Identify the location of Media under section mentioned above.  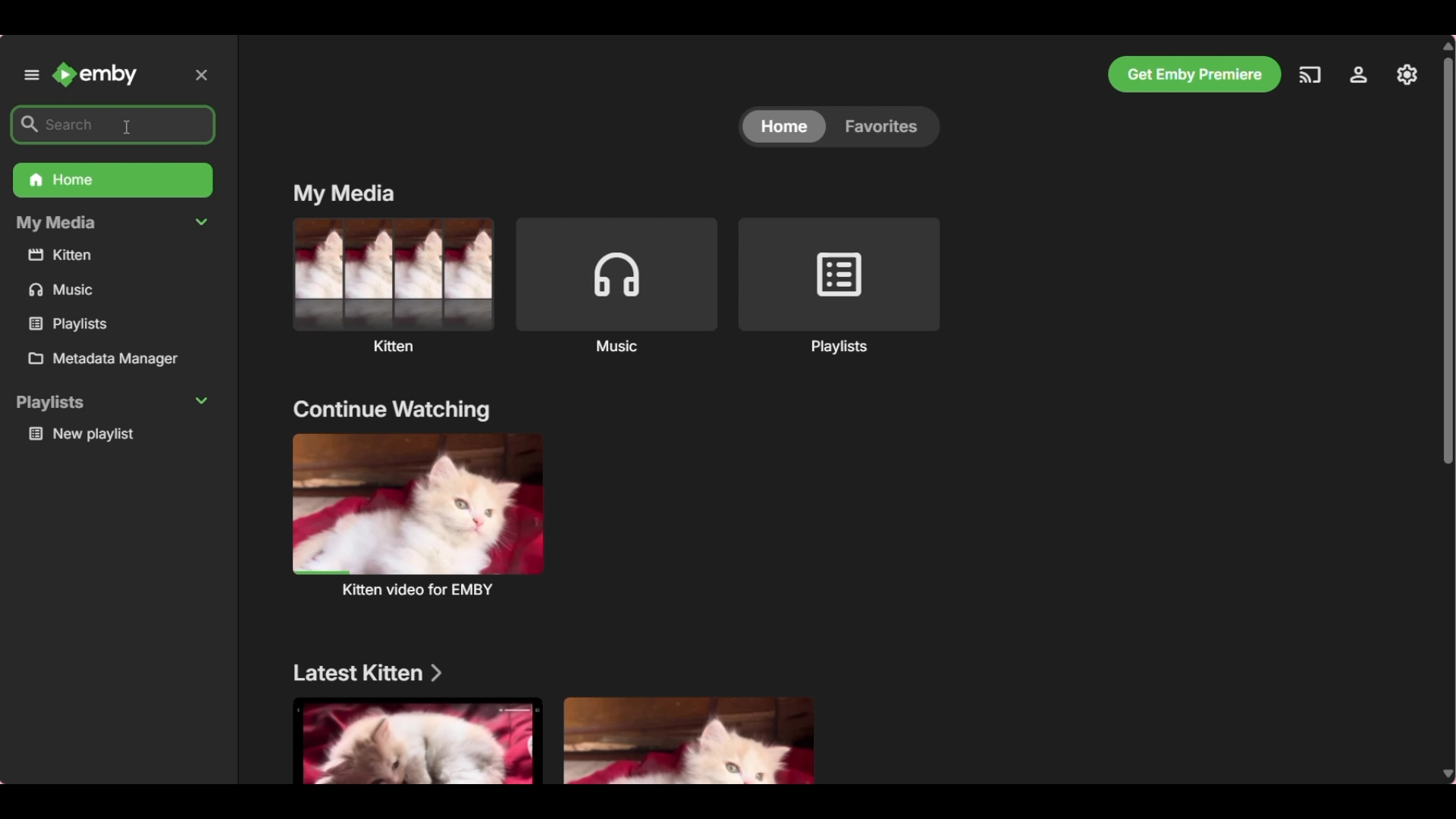
(690, 739).